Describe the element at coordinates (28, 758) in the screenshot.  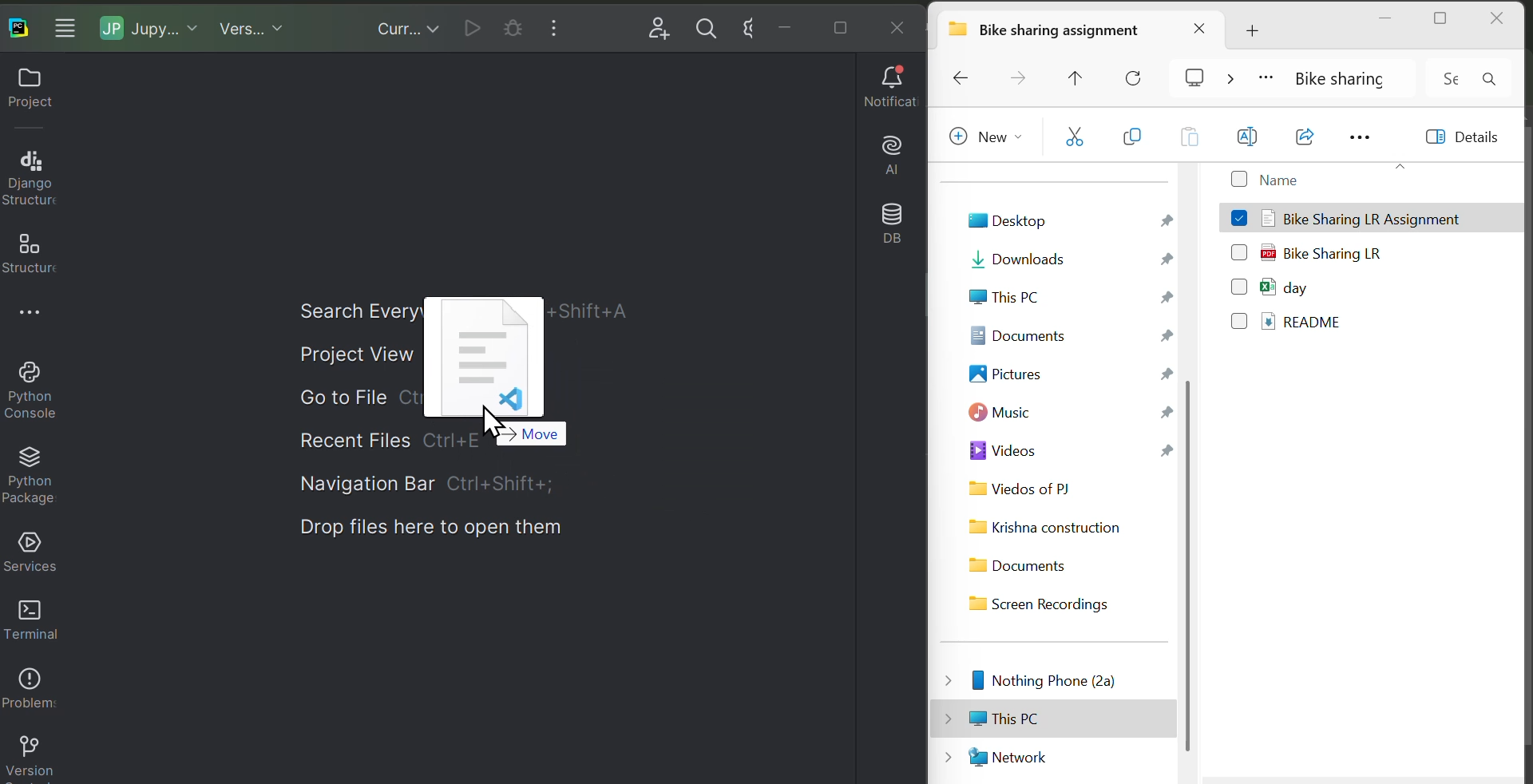
I see `Version control` at that location.